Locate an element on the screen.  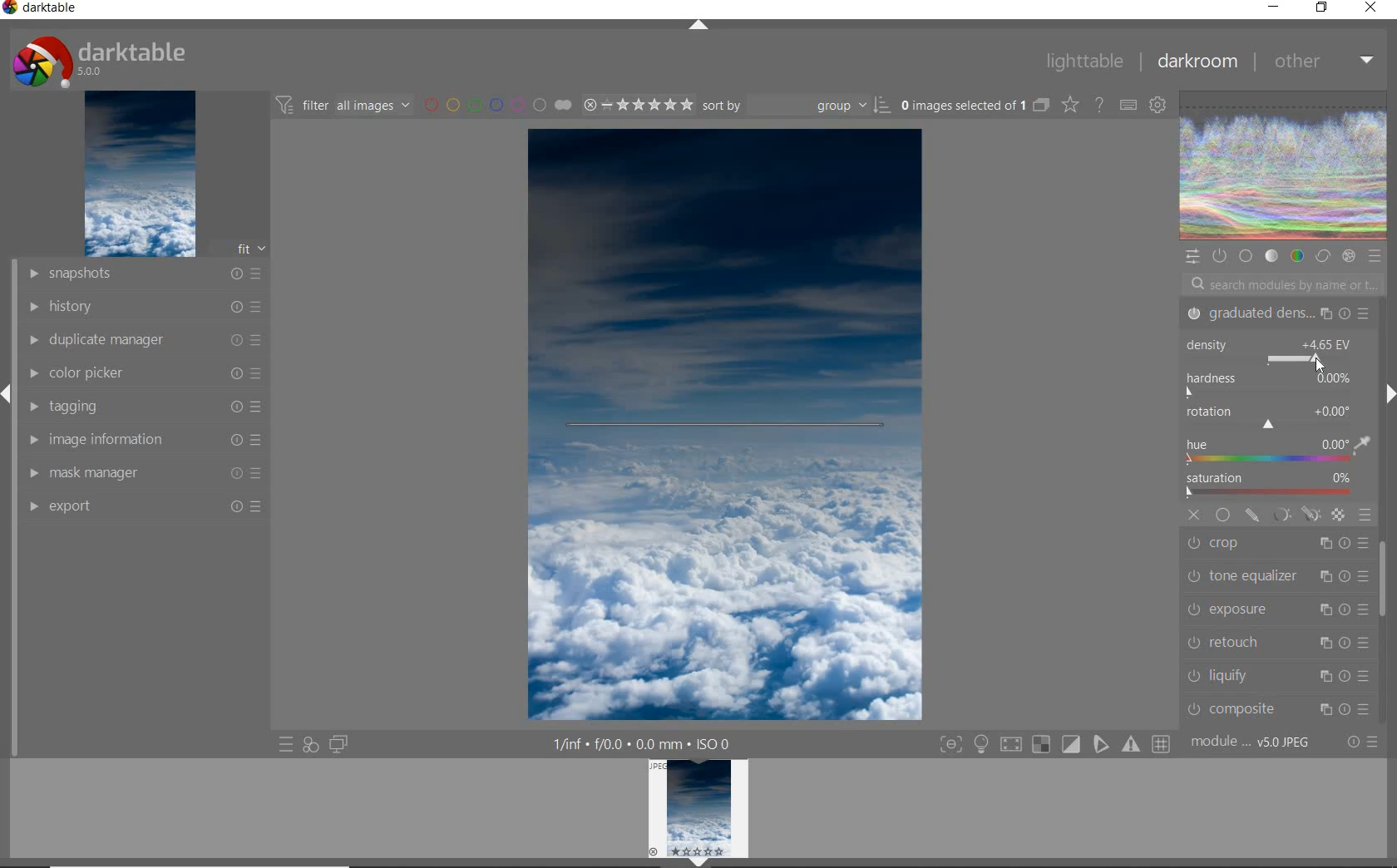
EFFECT is located at coordinates (1349, 256).